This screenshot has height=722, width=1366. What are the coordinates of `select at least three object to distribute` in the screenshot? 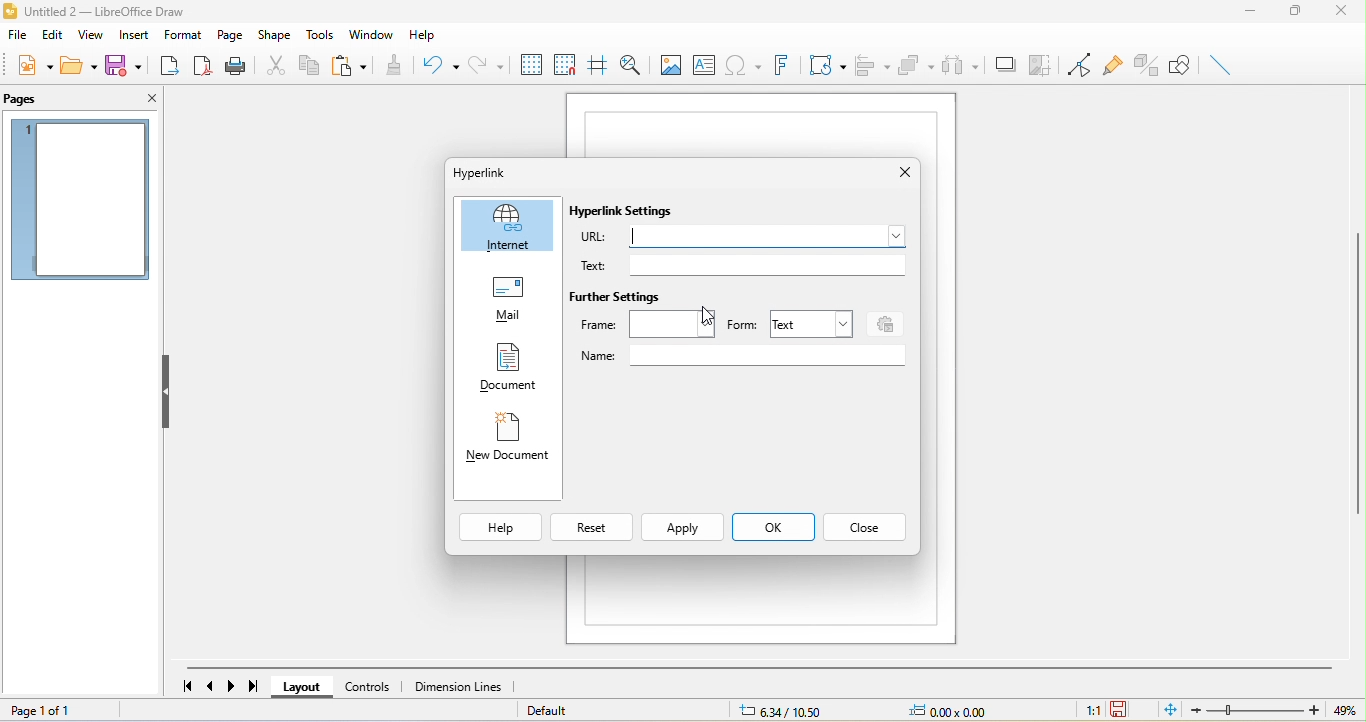 It's located at (963, 63).